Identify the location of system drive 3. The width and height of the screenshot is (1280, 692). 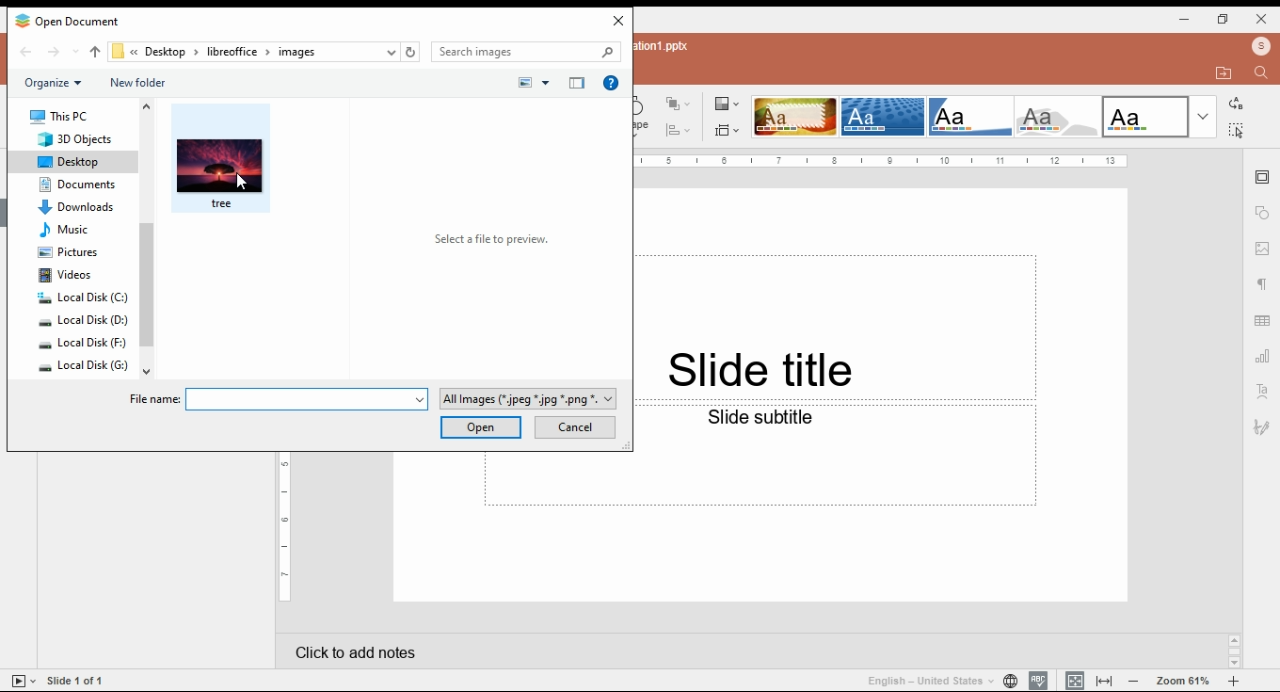
(84, 344).